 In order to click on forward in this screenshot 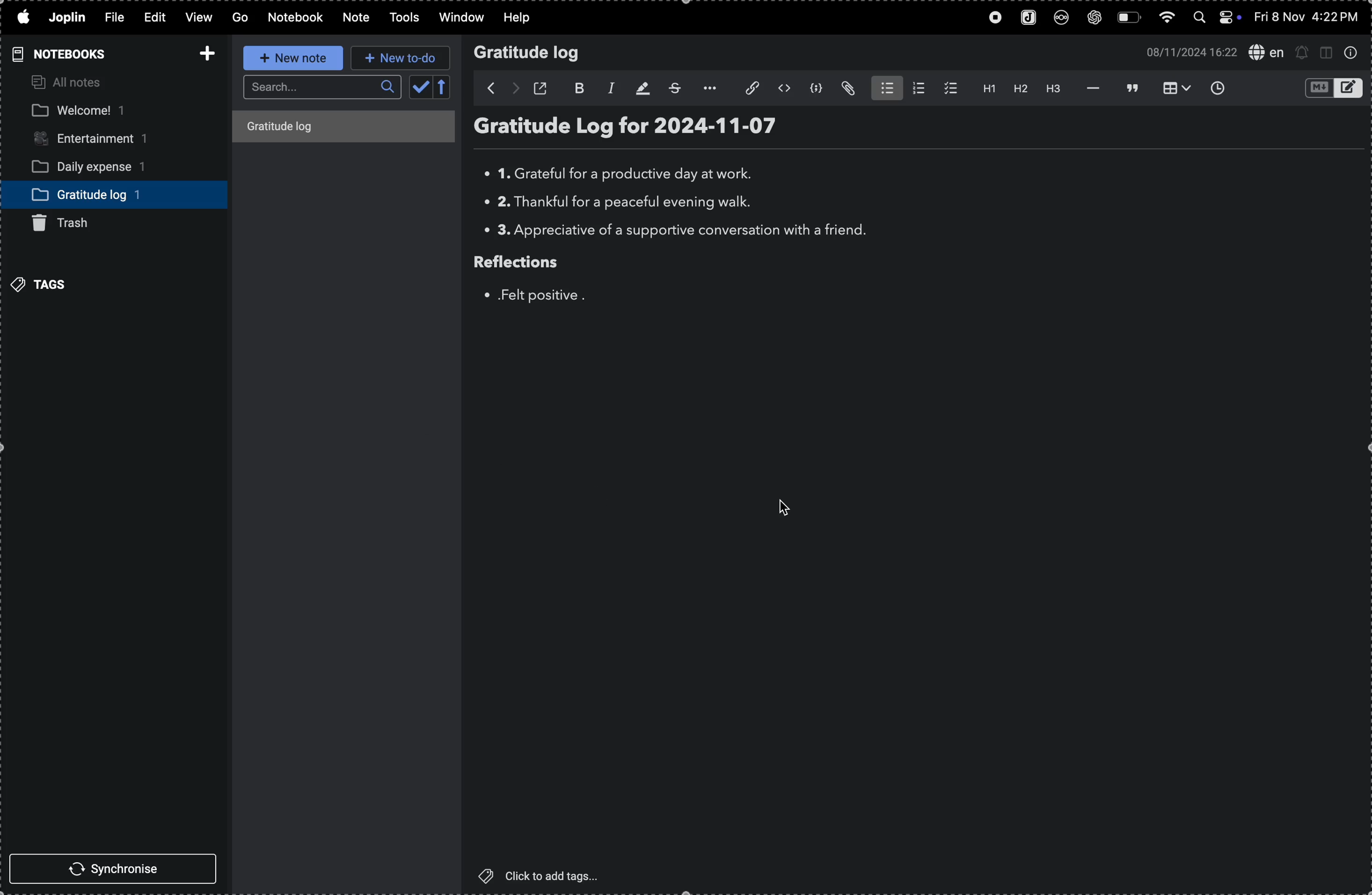, I will do `click(513, 89)`.